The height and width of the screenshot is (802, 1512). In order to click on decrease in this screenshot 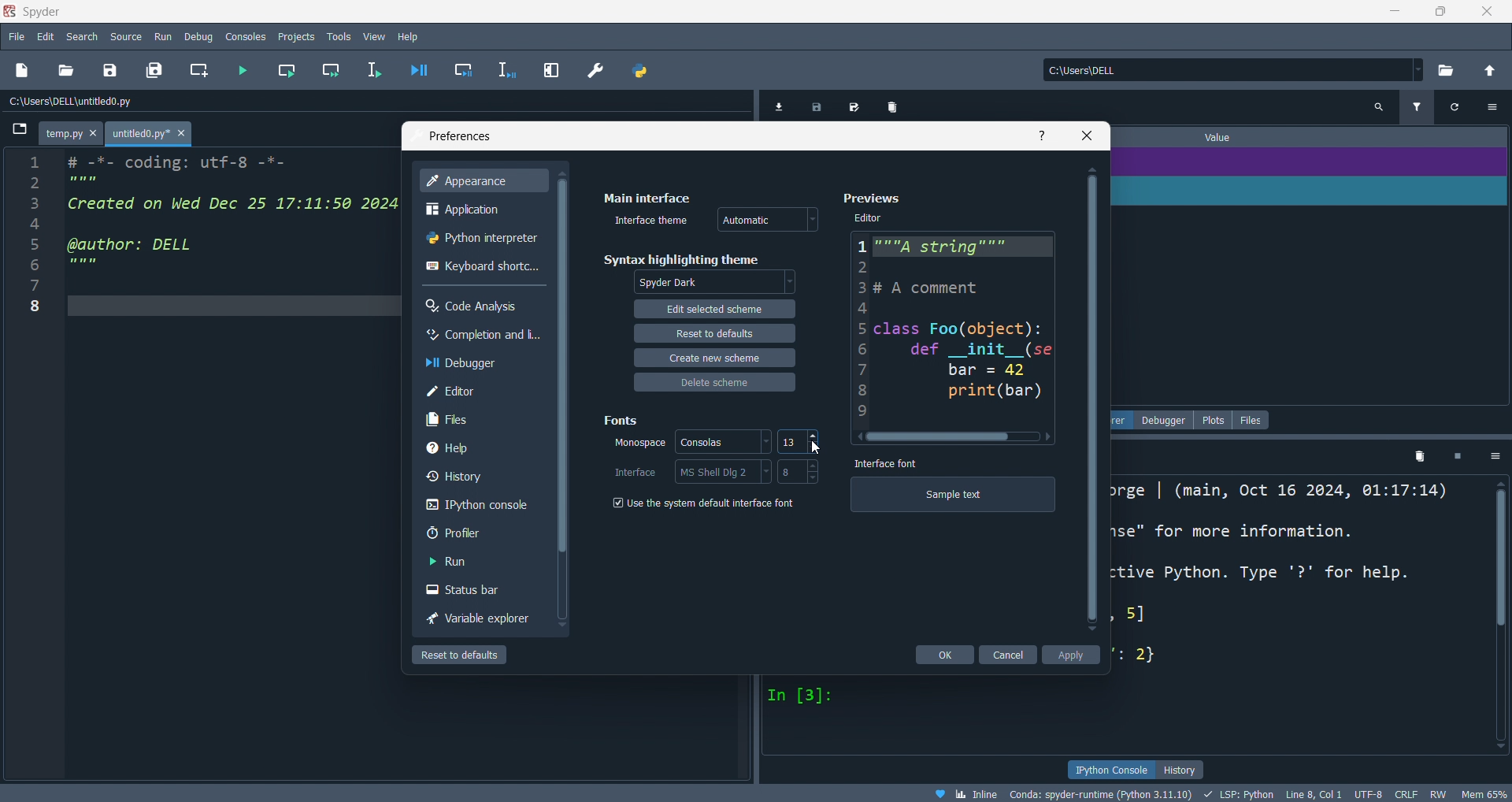, I will do `click(810, 479)`.